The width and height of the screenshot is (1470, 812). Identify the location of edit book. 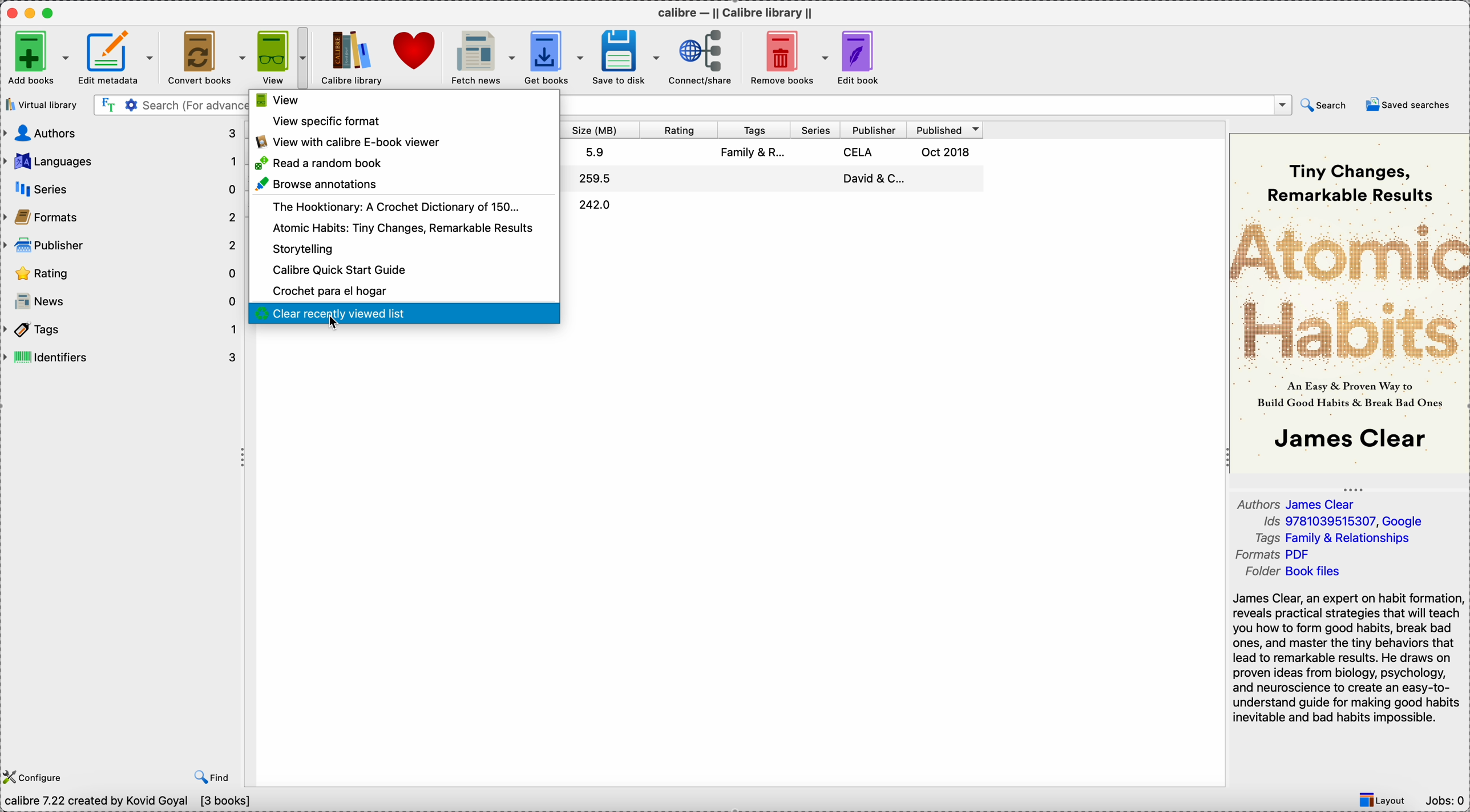
(860, 56).